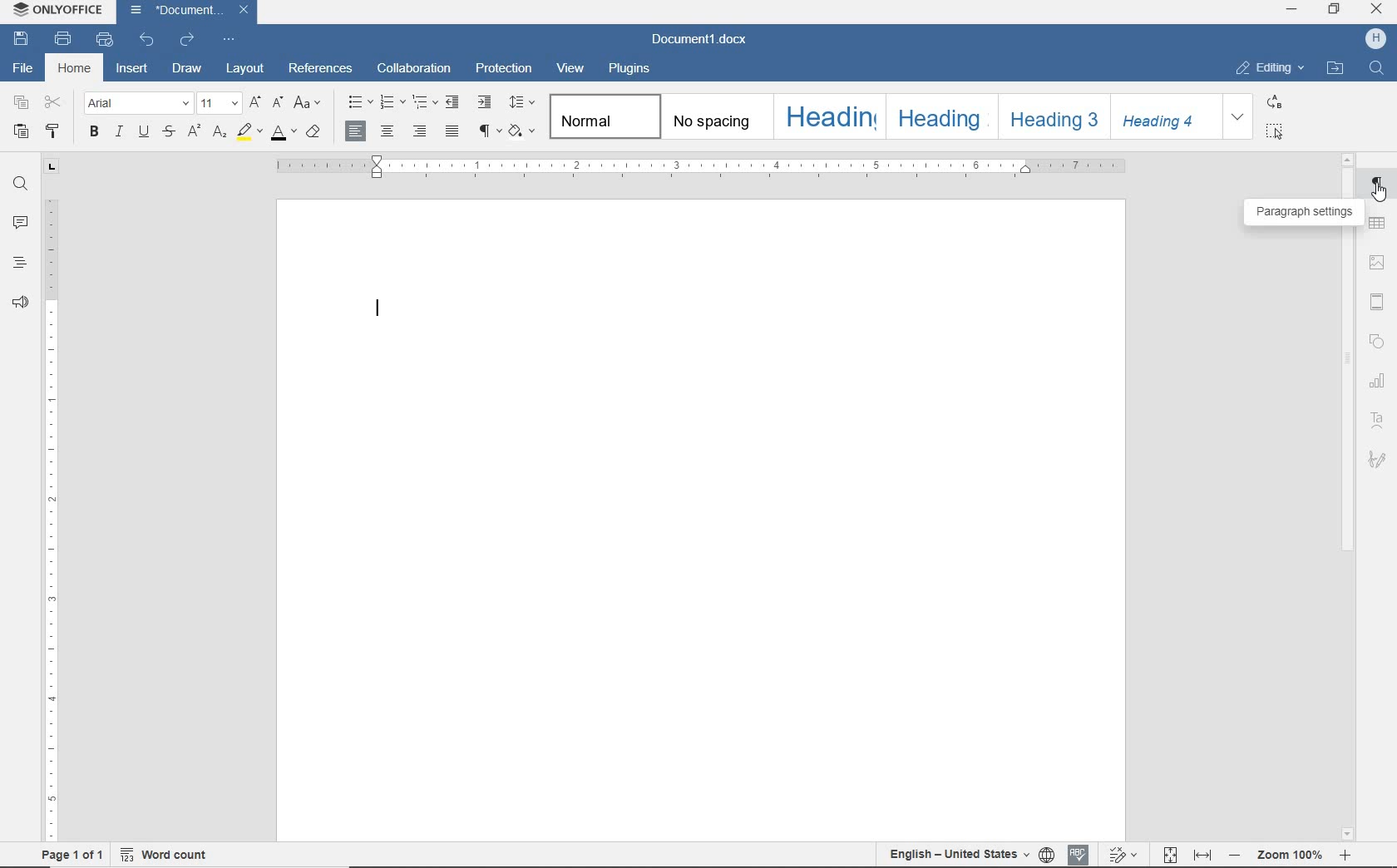 This screenshot has width=1397, height=868. What do you see at coordinates (504, 70) in the screenshot?
I see `protection` at bounding box center [504, 70].